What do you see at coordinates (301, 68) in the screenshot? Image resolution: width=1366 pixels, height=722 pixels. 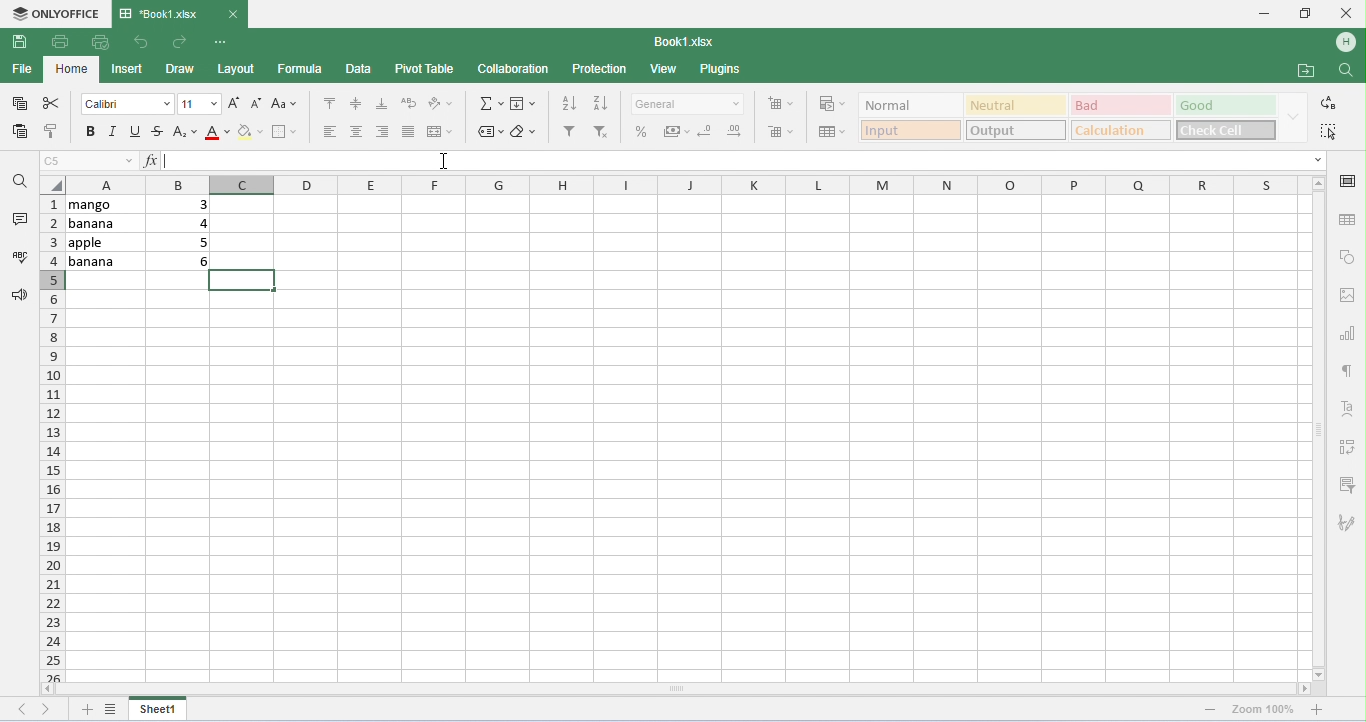 I see `formula` at bounding box center [301, 68].